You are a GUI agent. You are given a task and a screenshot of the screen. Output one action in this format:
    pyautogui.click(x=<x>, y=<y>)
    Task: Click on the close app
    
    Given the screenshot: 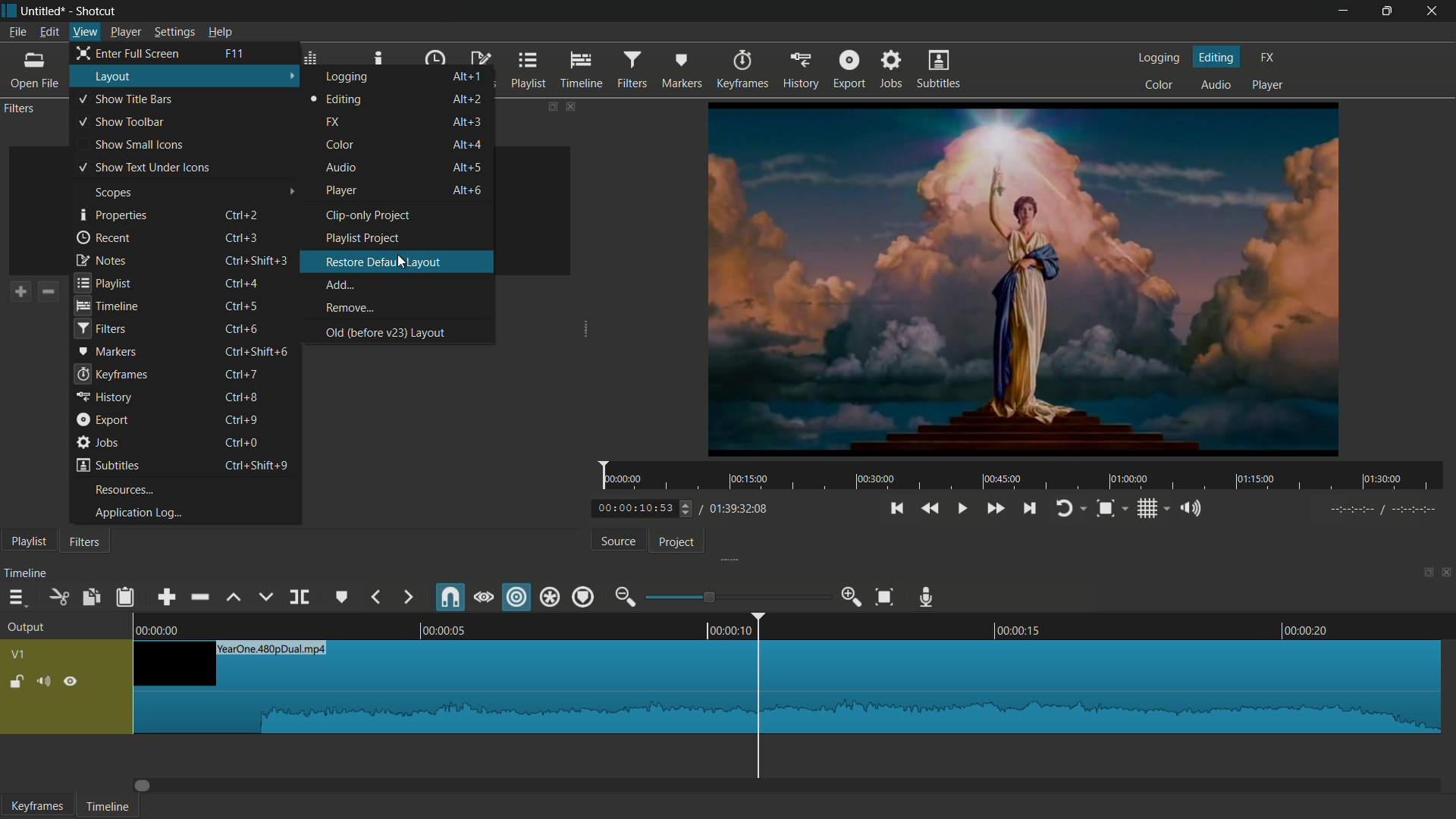 What is the action you would take?
    pyautogui.click(x=1435, y=11)
    